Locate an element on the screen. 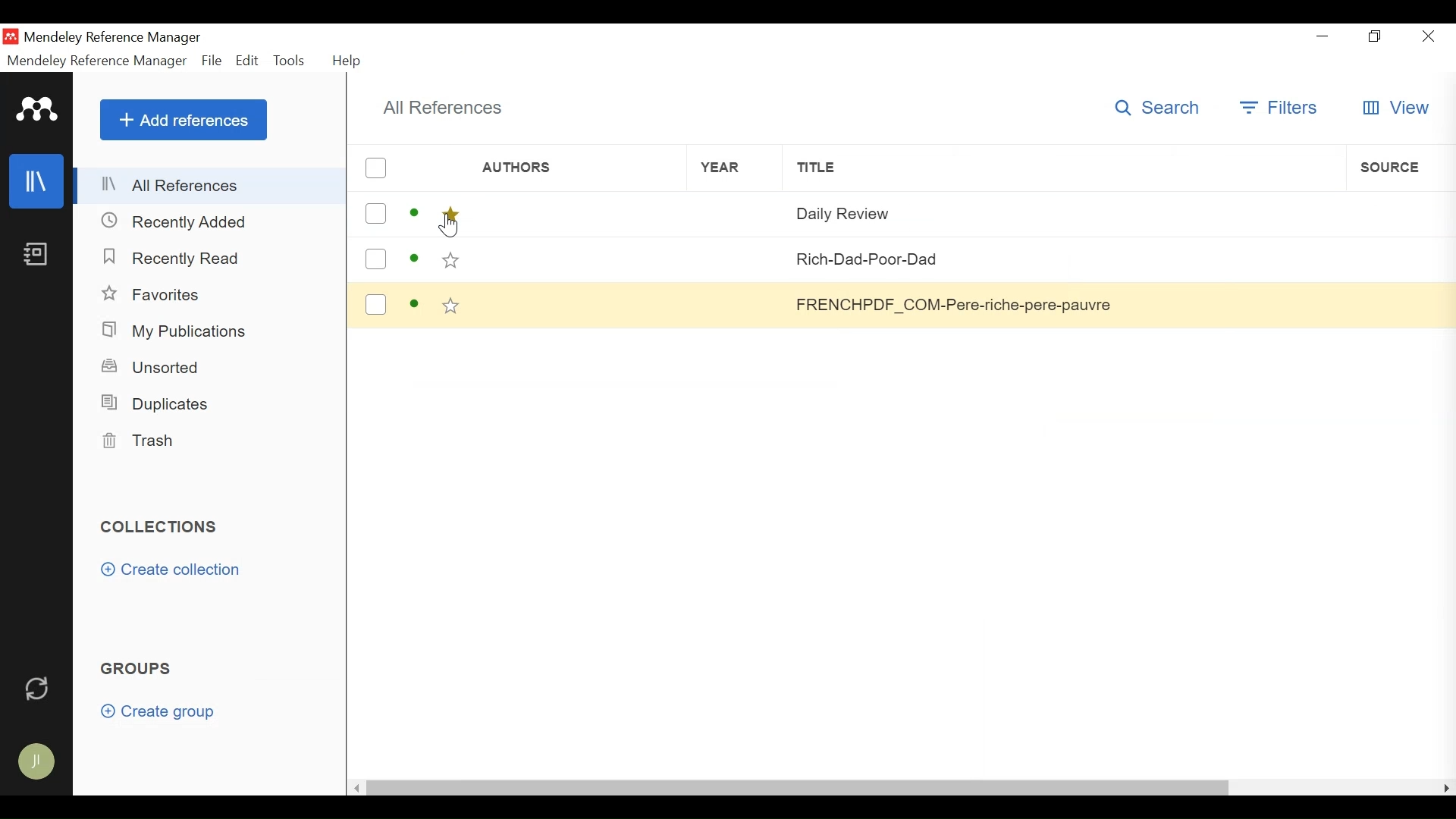 The width and height of the screenshot is (1456, 819). (un)select Favorite is located at coordinates (450, 214).